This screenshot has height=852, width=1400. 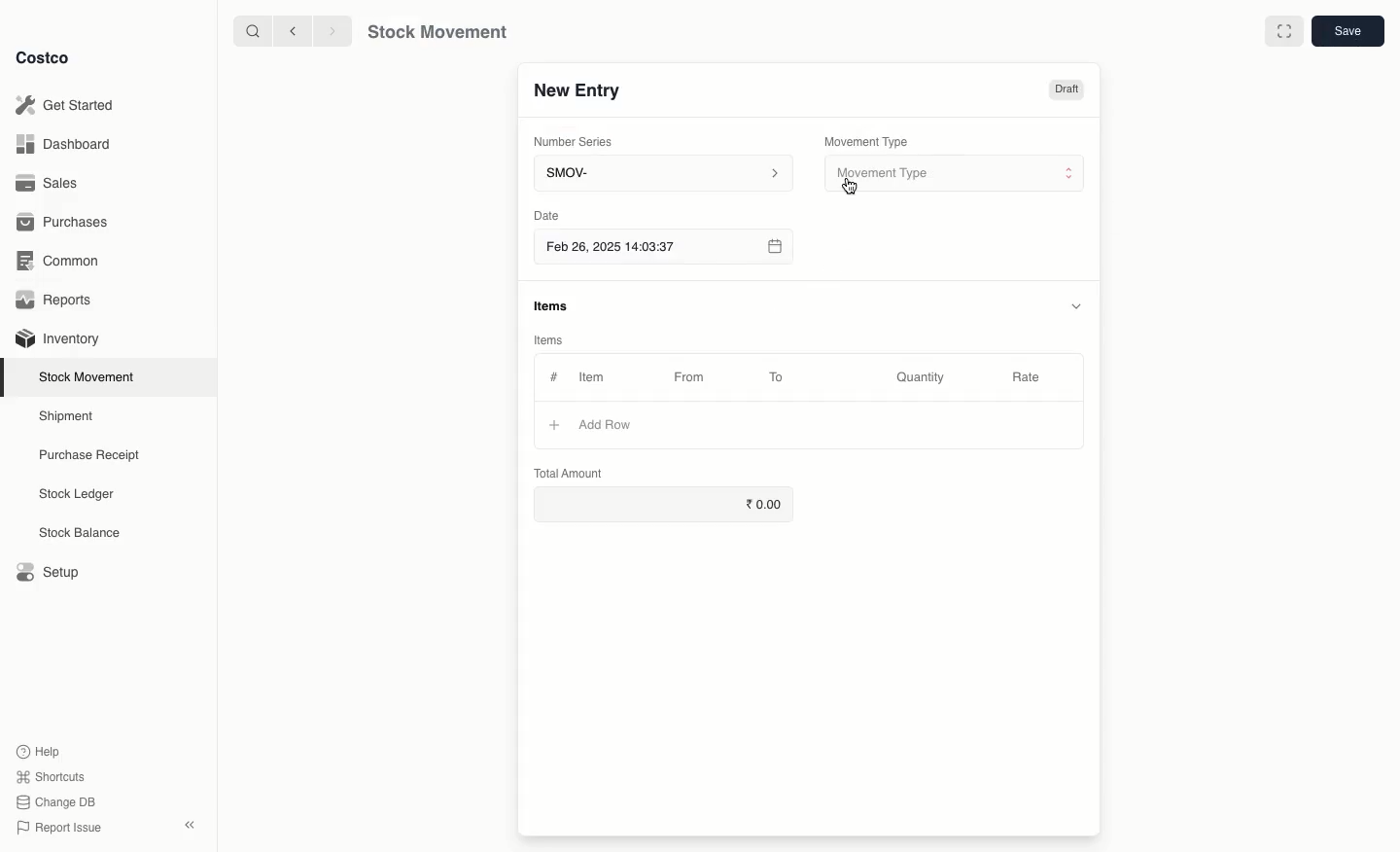 I want to click on Inventory, so click(x=60, y=339).